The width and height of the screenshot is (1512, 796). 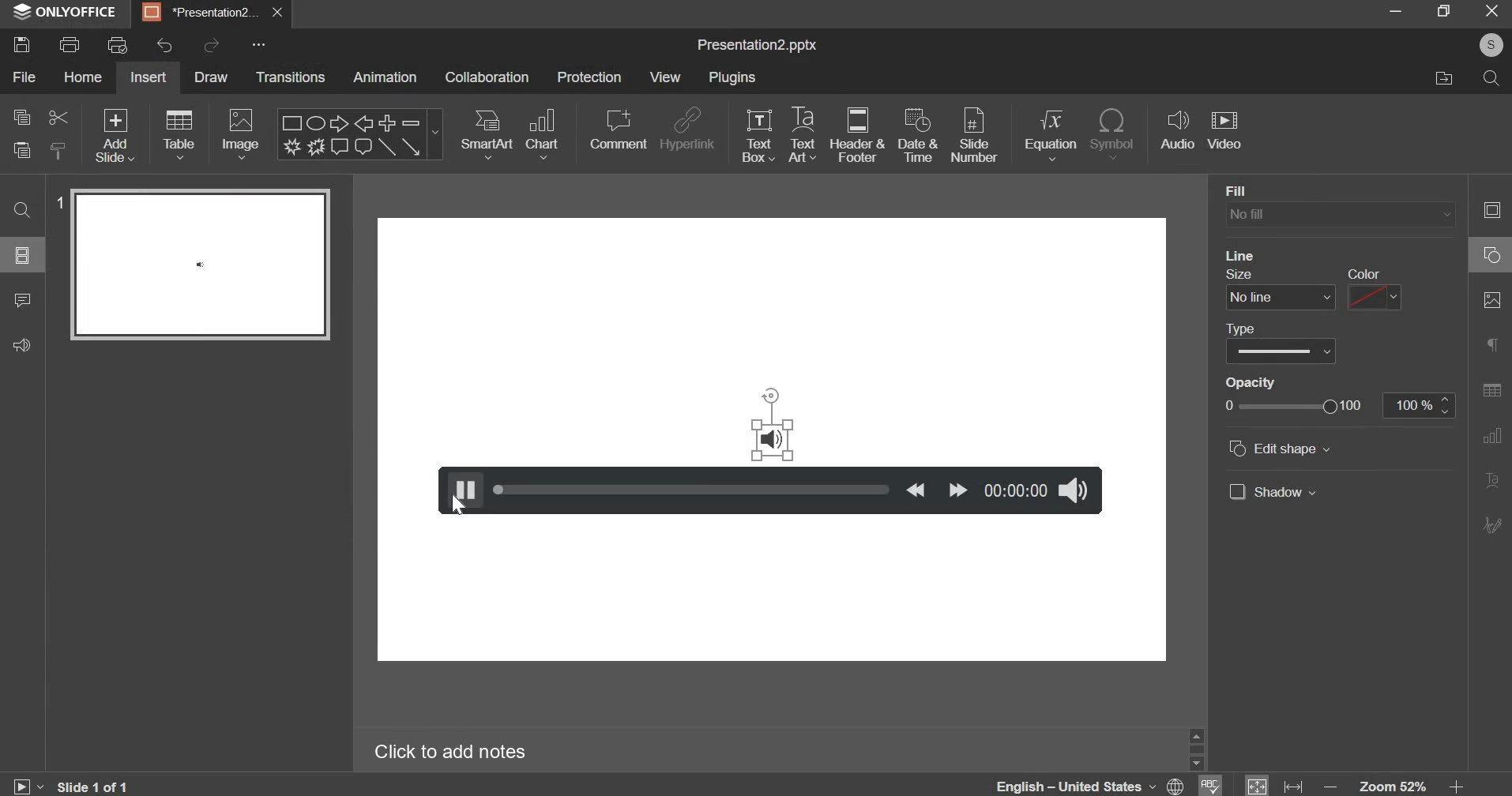 I want to click on home, so click(x=85, y=77).